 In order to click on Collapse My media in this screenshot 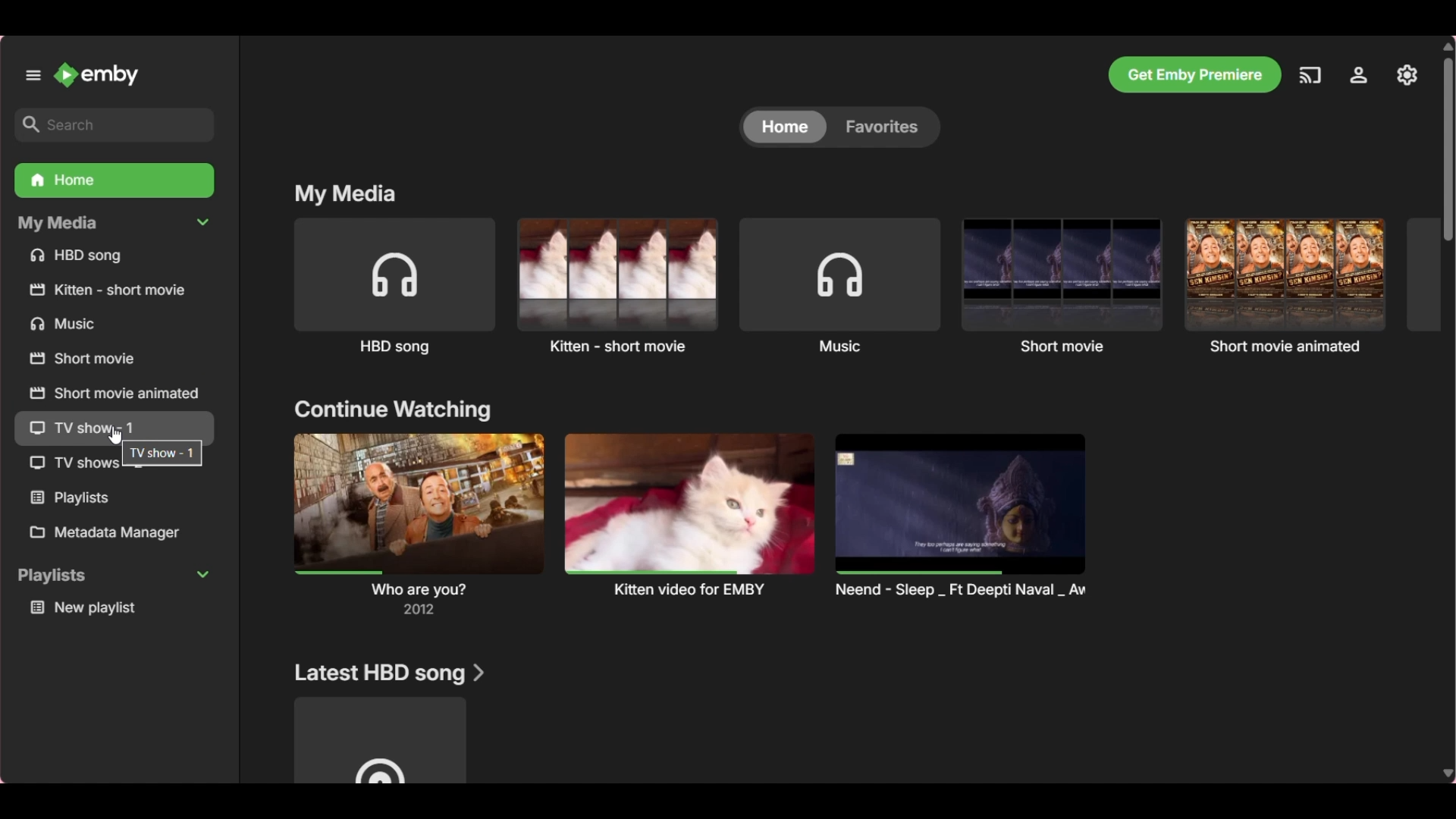, I will do `click(113, 224)`.